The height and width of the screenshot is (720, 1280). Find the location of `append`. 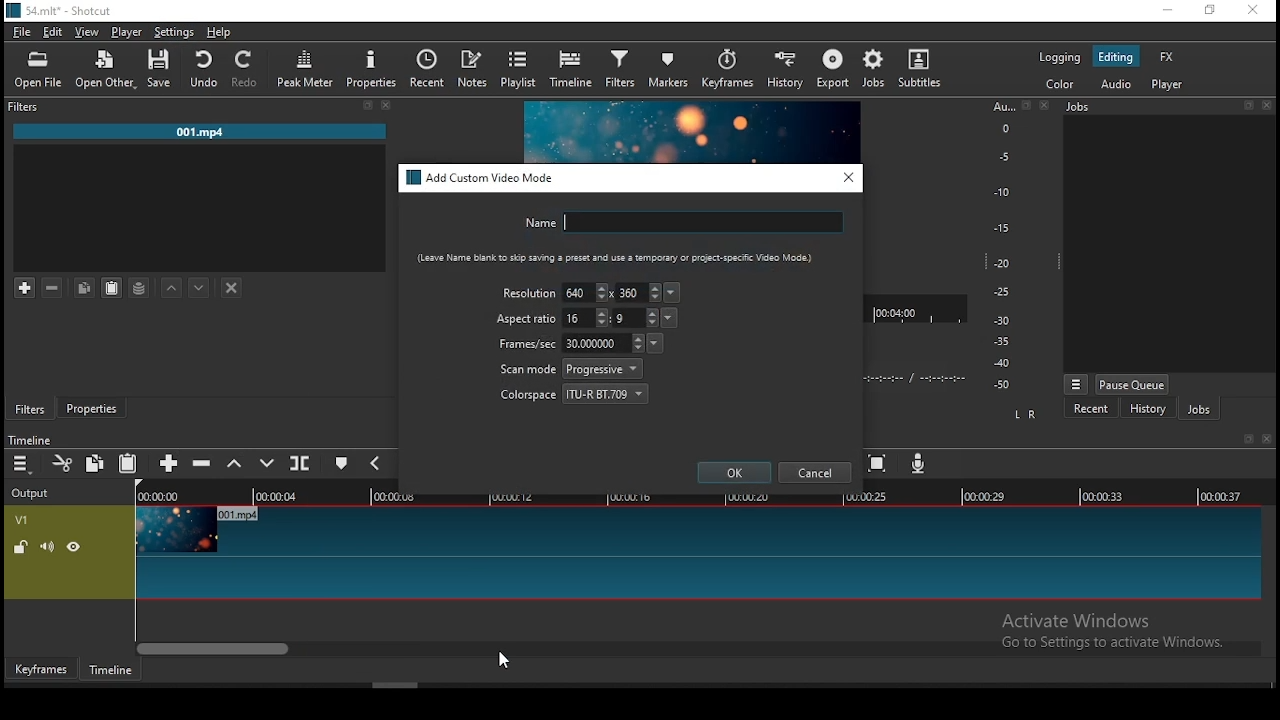

append is located at coordinates (170, 465).